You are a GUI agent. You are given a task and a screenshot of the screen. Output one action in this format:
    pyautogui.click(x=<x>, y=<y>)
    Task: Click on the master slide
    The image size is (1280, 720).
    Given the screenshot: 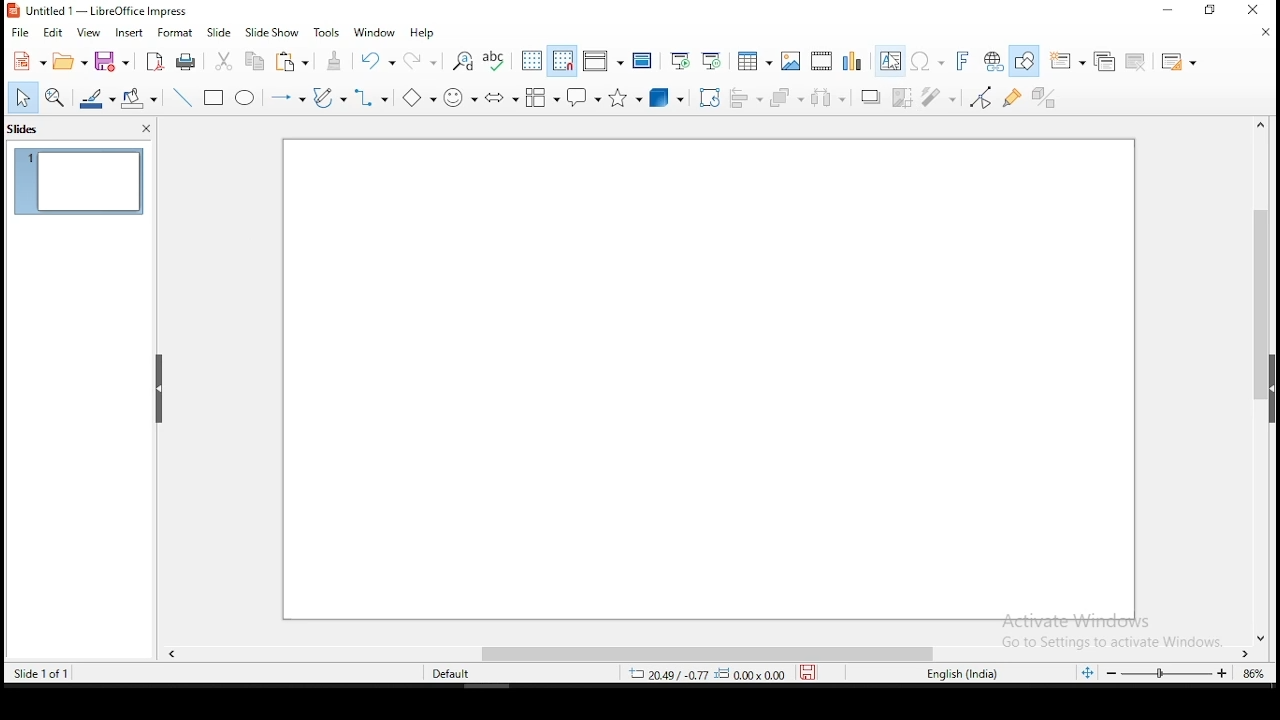 What is the action you would take?
    pyautogui.click(x=643, y=62)
    